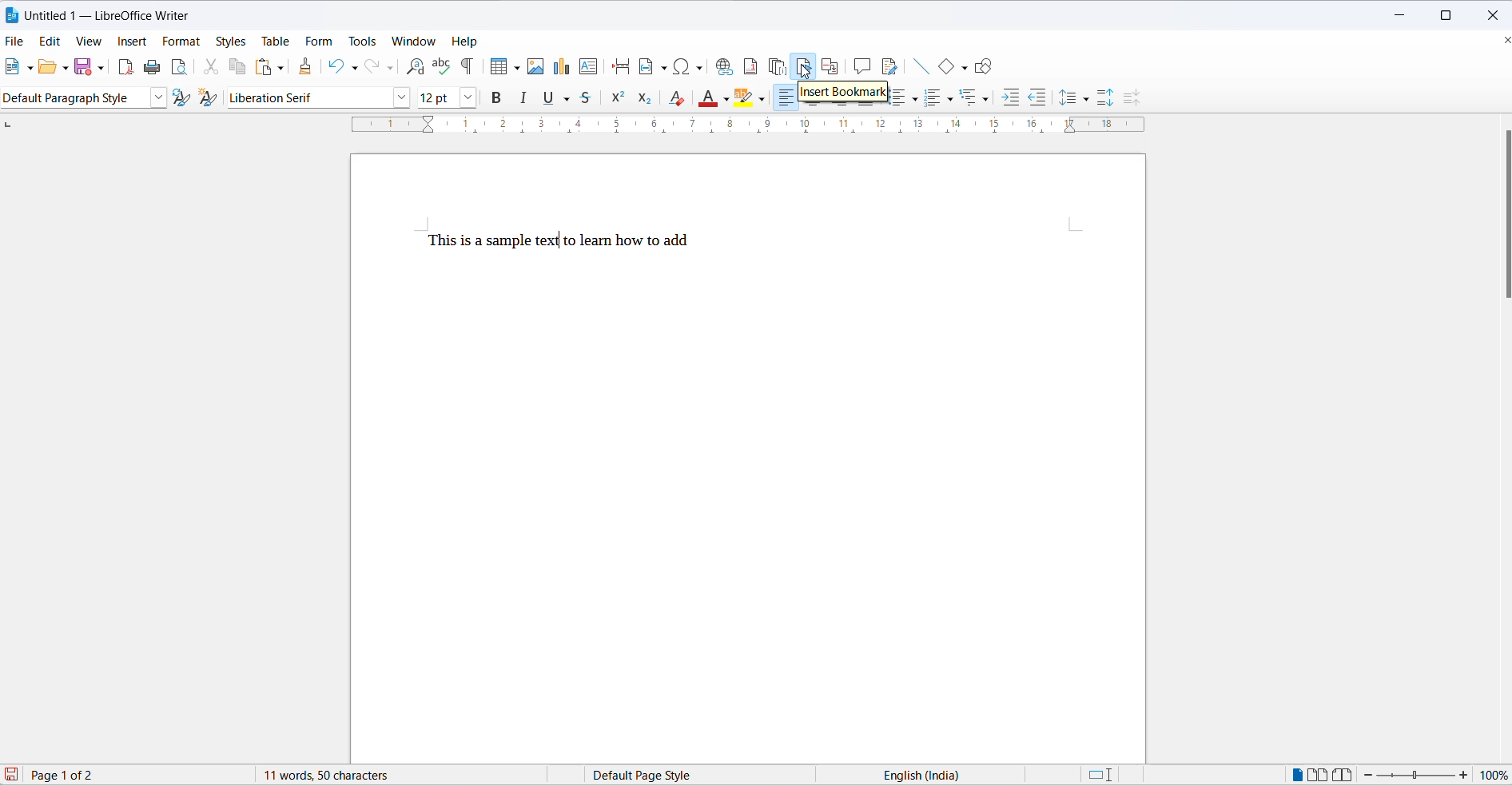  I want to click on form, so click(321, 39).